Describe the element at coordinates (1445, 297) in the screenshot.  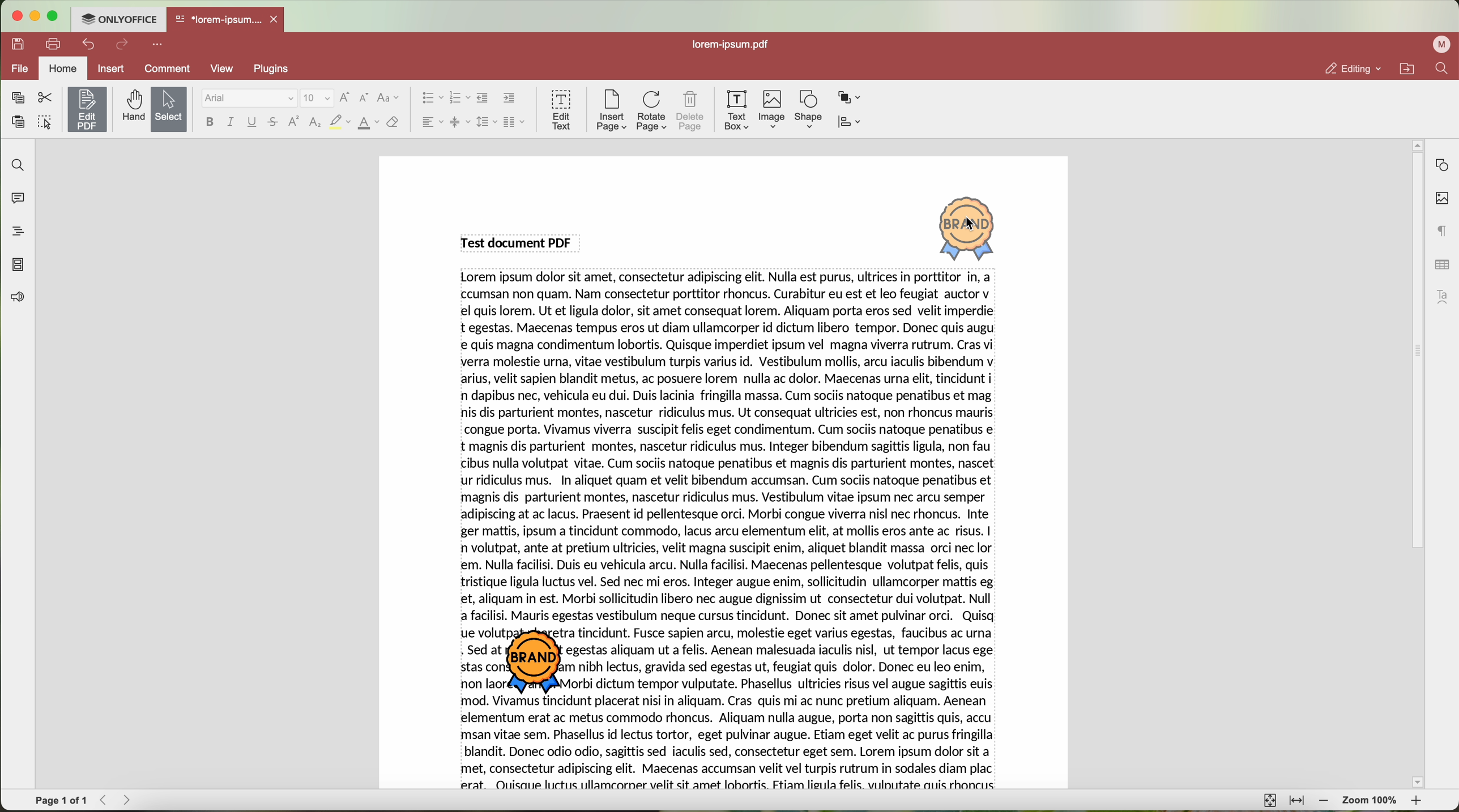
I see `text art settings` at that location.